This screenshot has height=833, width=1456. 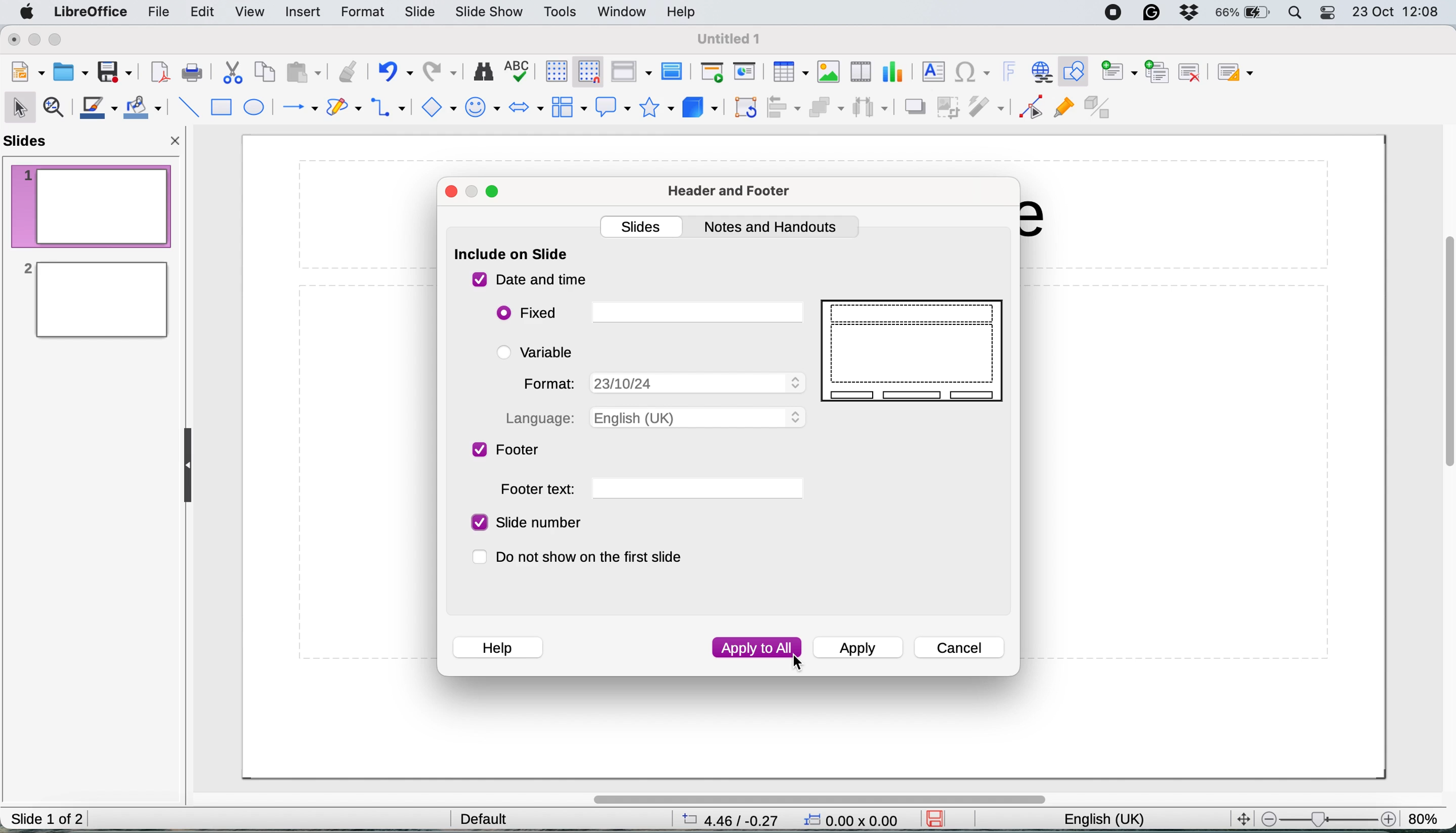 I want to click on insert line, so click(x=188, y=106).